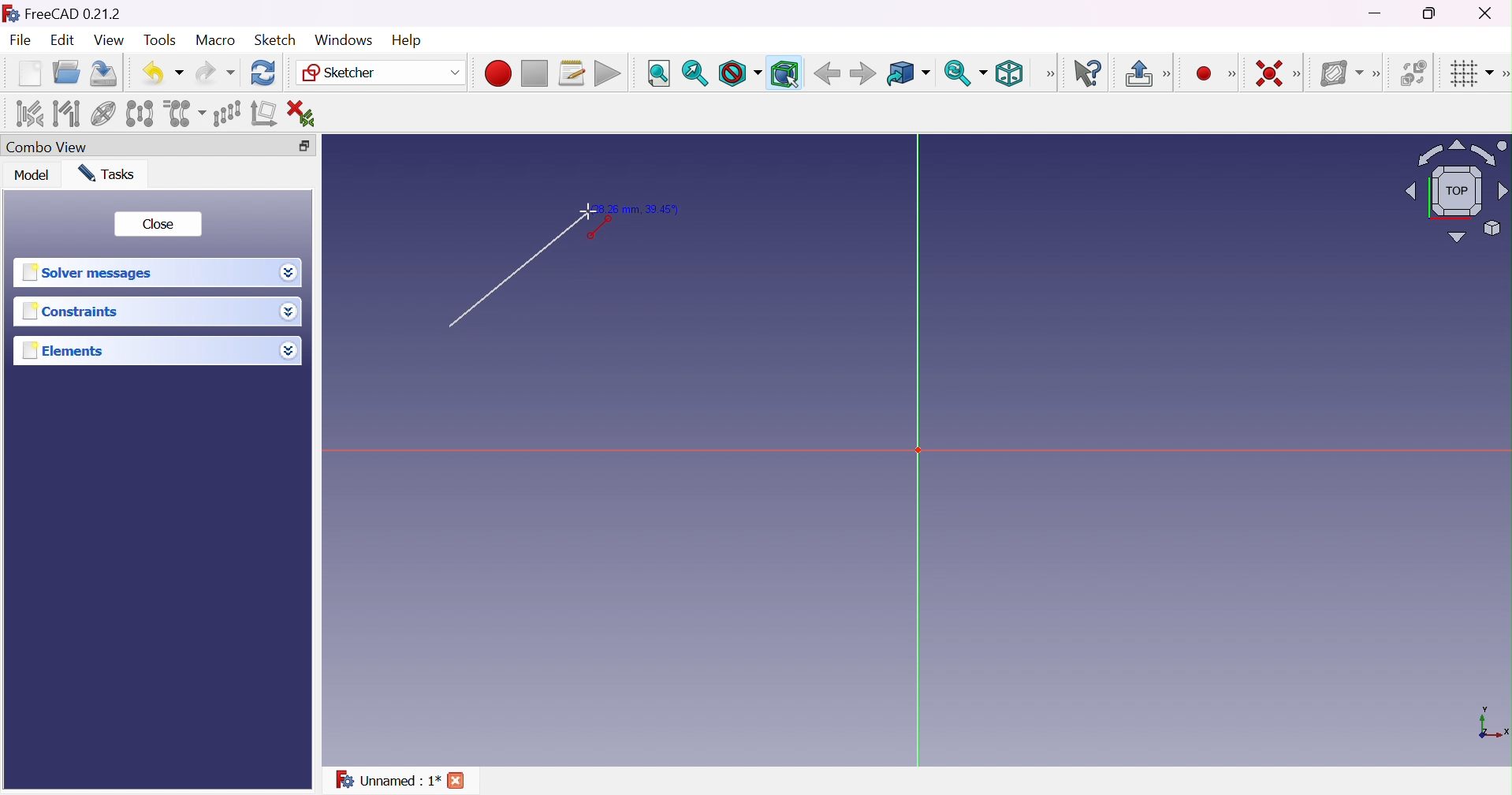 The image size is (1512, 795). Describe the element at coordinates (784, 73) in the screenshot. I see `Bounding box` at that location.